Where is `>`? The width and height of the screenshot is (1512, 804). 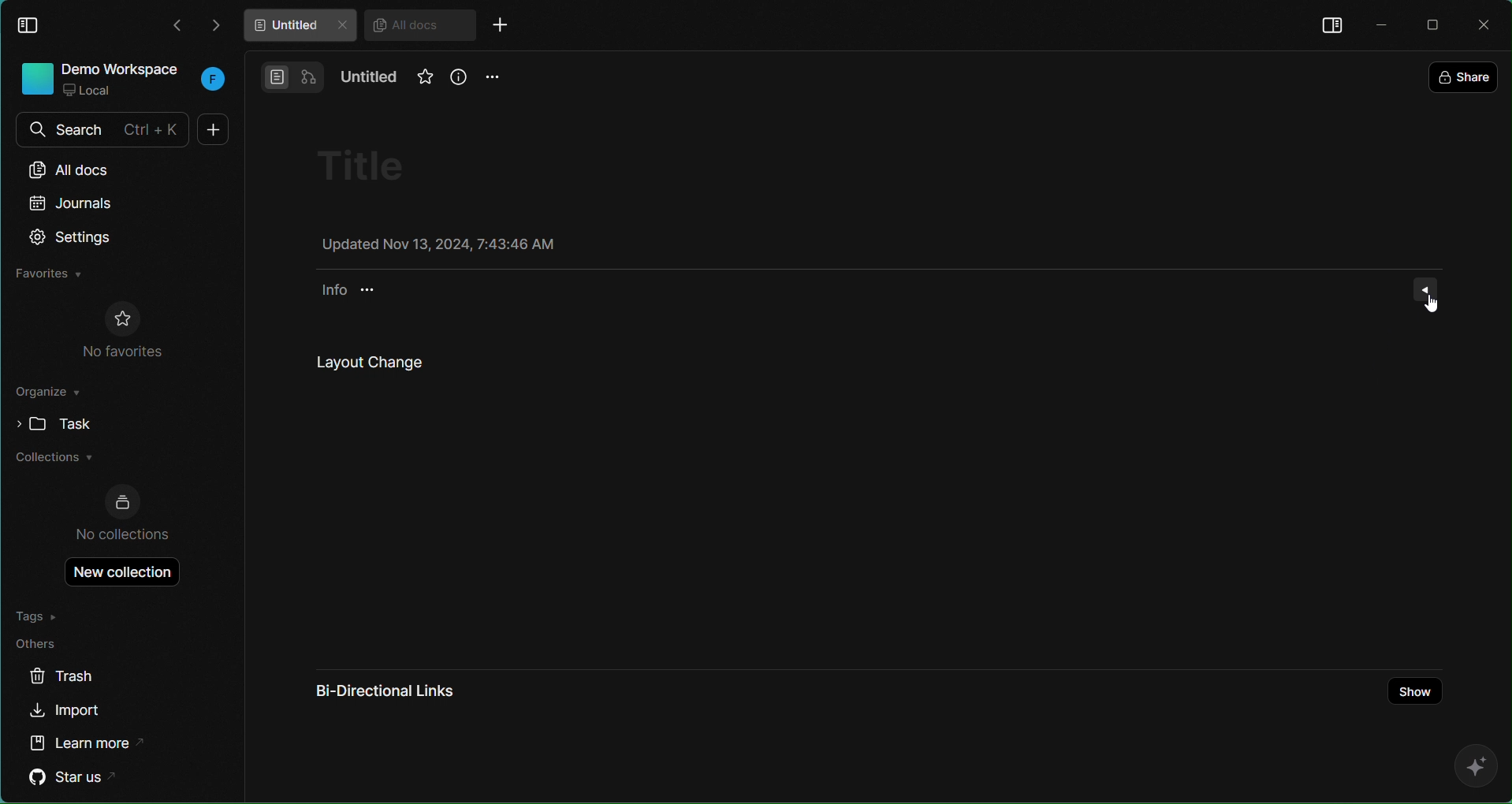
> is located at coordinates (218, 24).